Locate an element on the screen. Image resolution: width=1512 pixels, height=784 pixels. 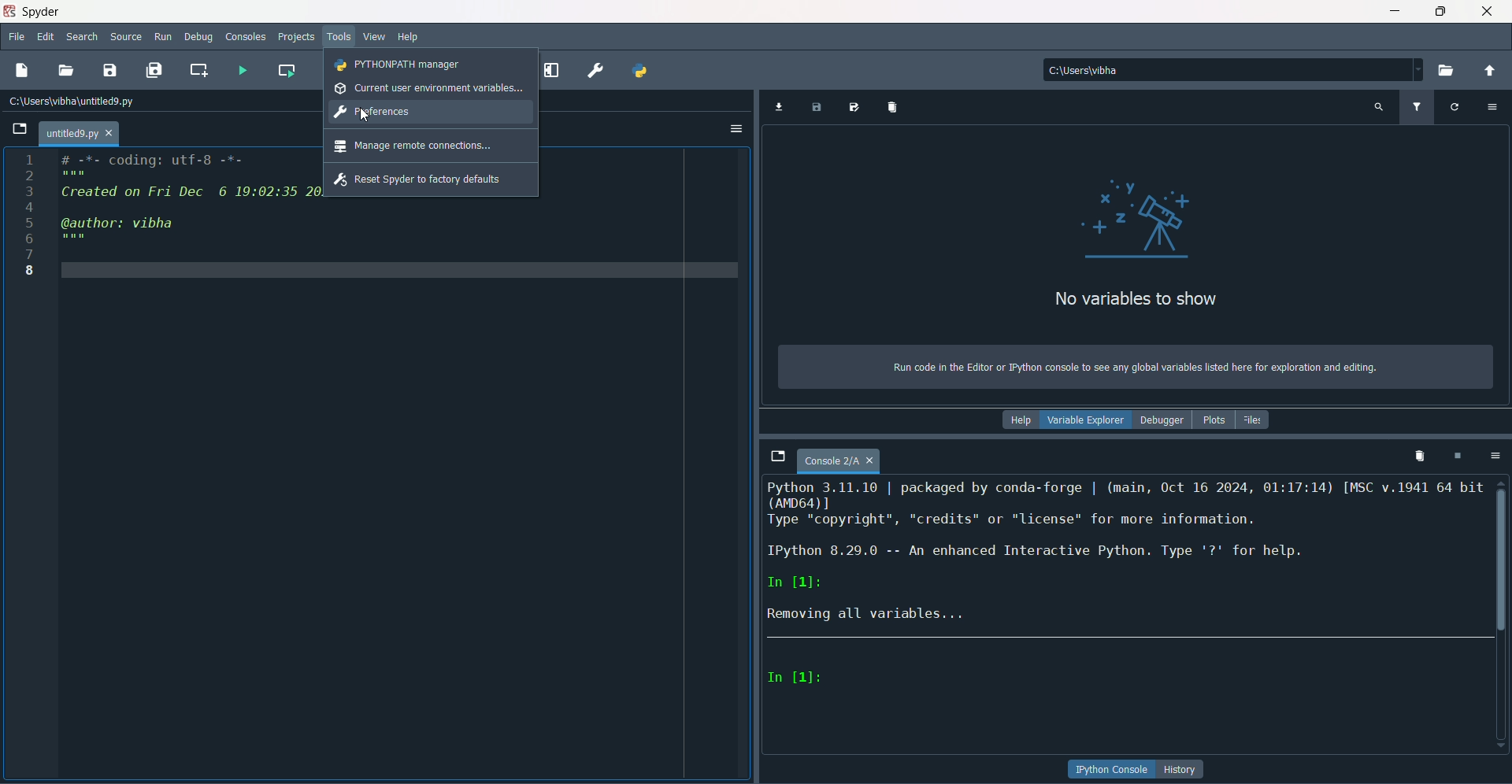
graphics is located at coordinates (1142, 216).